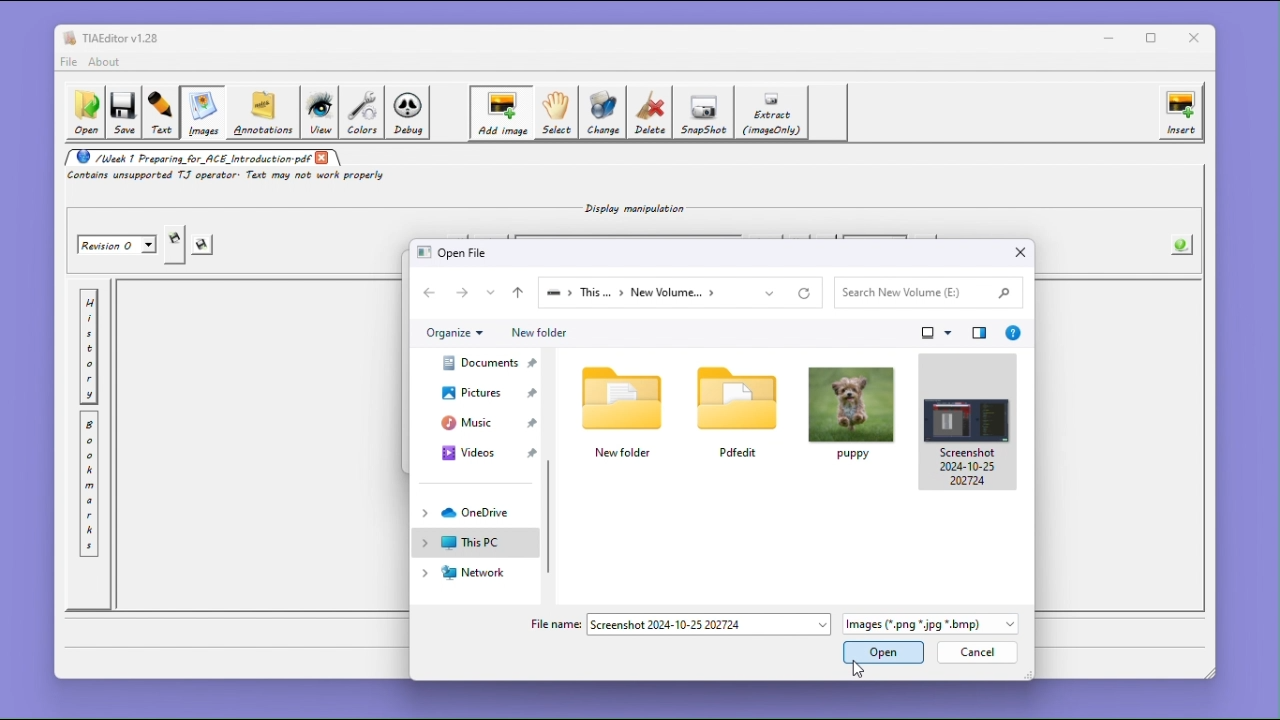 The image size is (1280, 720). What do you see at coordinates (517, 293) in the screenshot?
I see `up one level` at bounding box center [517, 293].